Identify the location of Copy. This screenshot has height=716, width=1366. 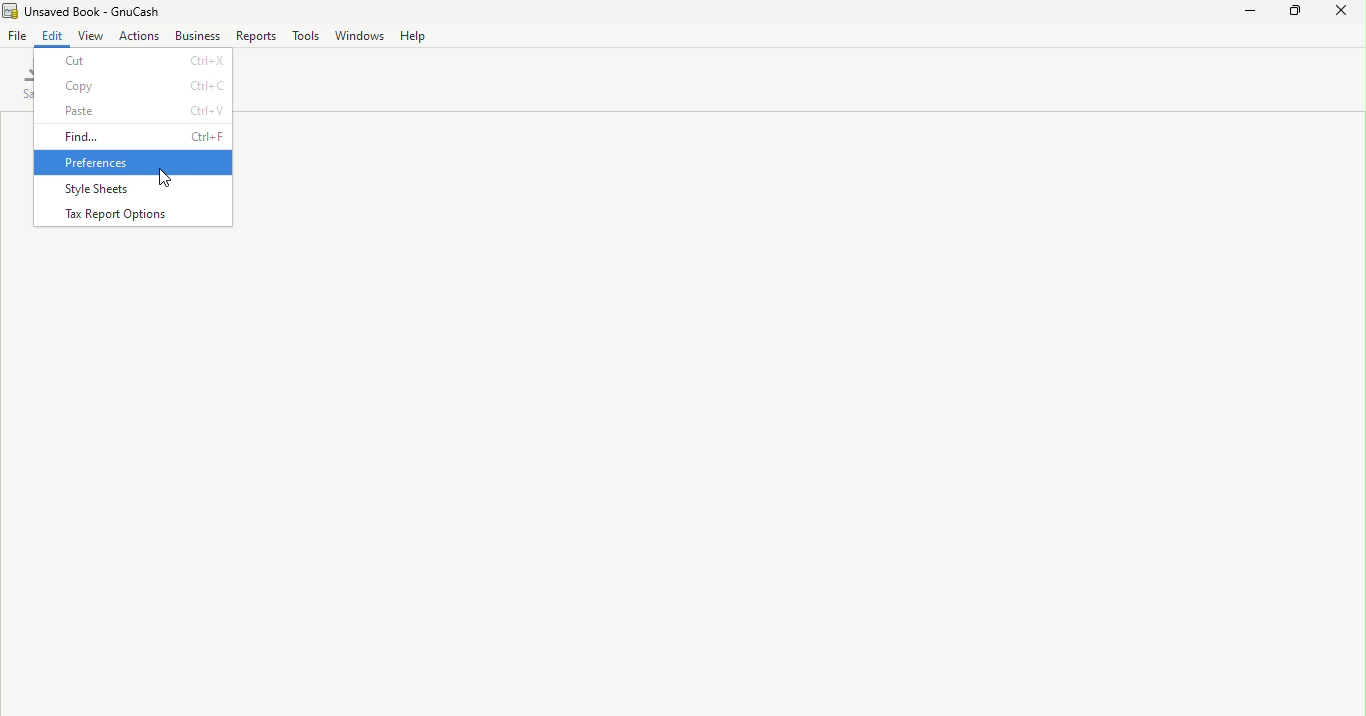
(137, 86).